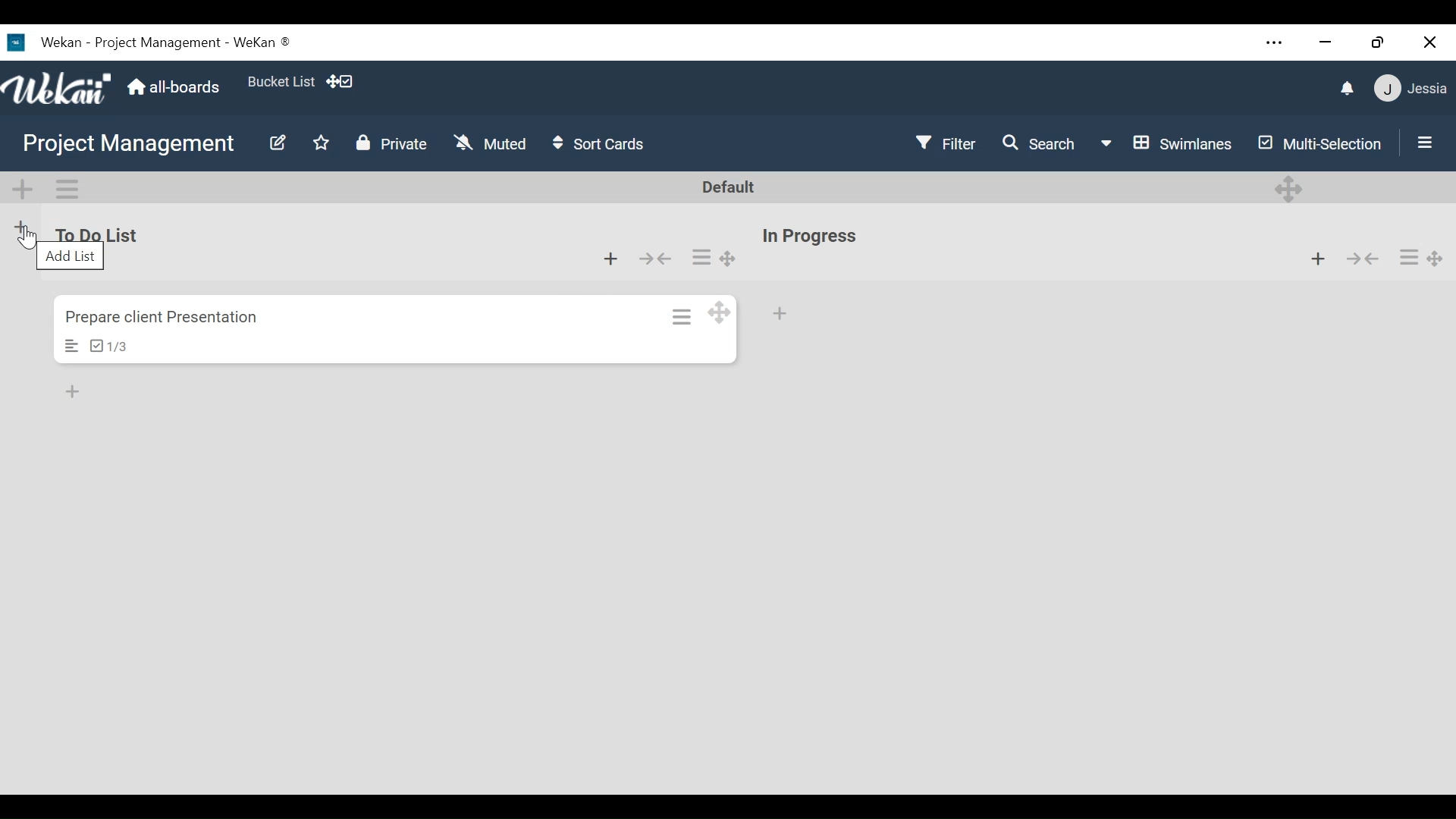  Describe the element at coordinates (276, 142) in the screenshot. I see `Edit` at that location.